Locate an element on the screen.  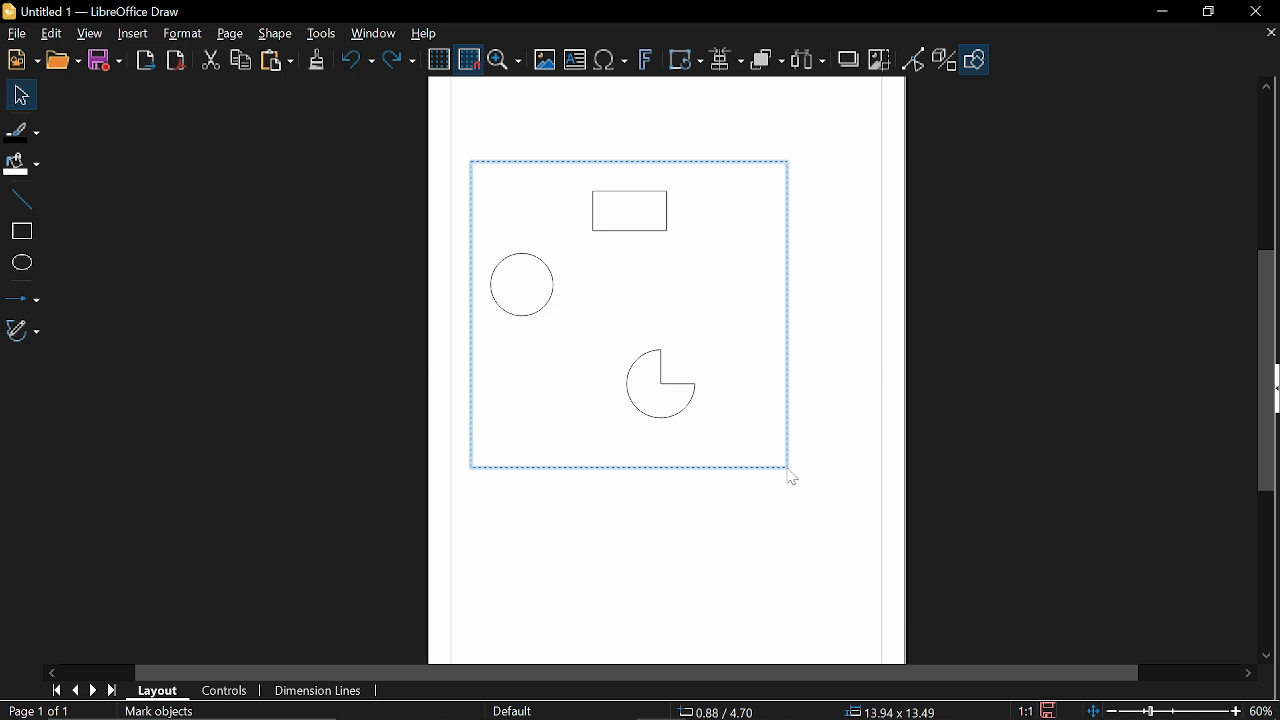
Rectangle is located at coordinates (632, 206).